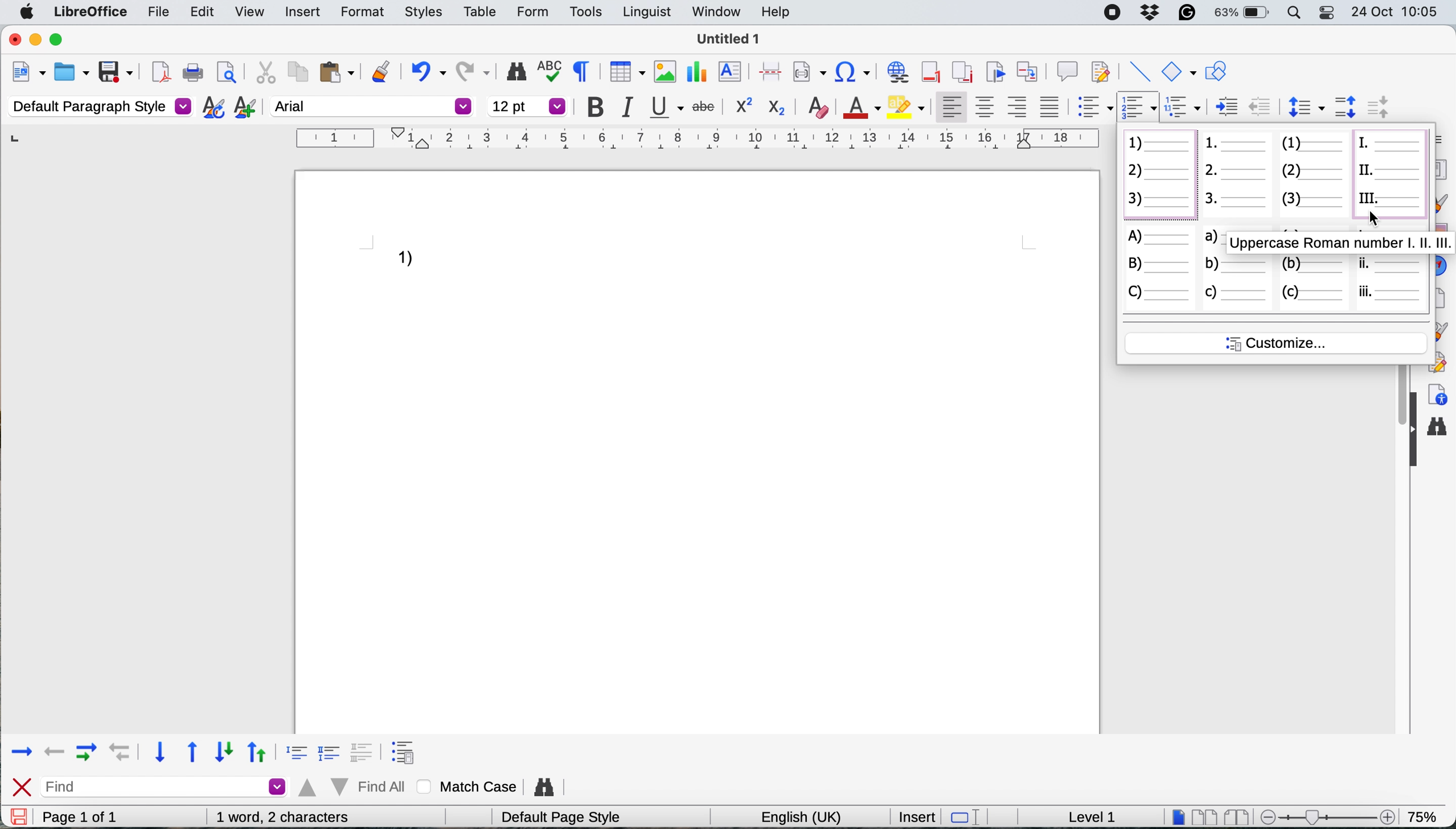 The image size is (1456, 829). What do you see at coordinates (1315, 173) in the screenshot?
I see `numbered list` at bounding box center [1315, 173].